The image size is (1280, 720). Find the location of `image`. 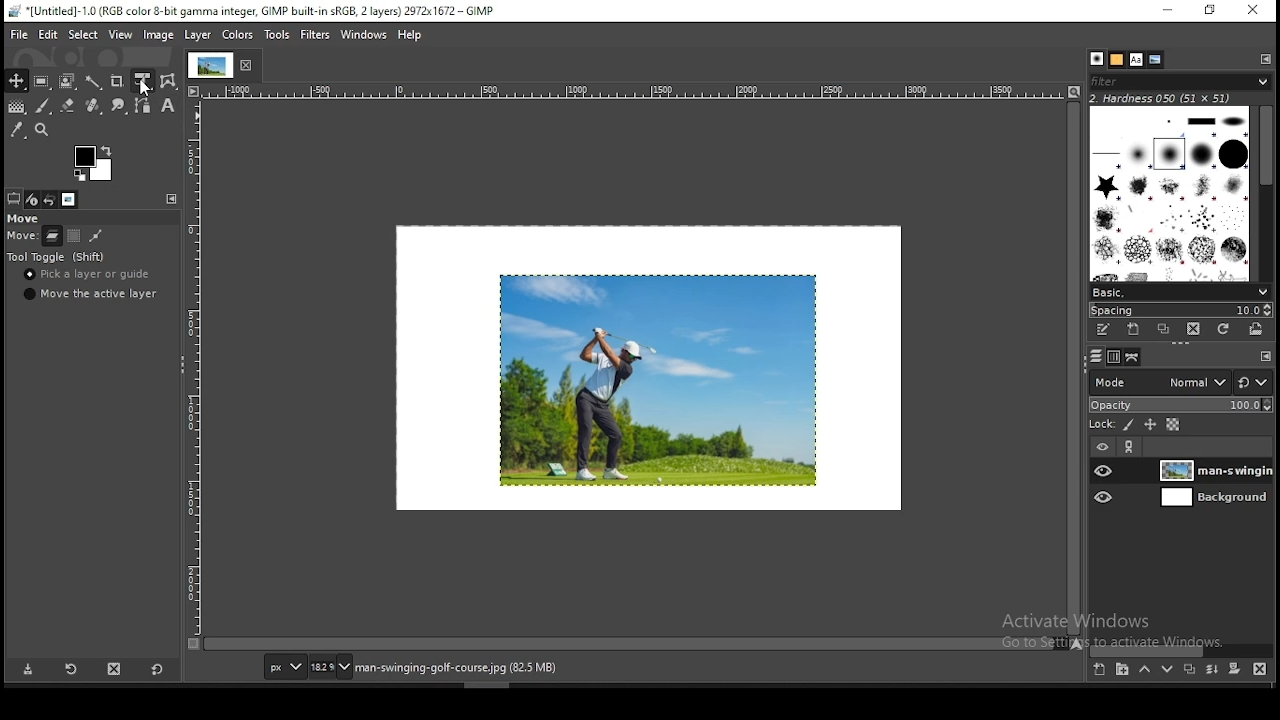

image is located at coordinates (654, 378).